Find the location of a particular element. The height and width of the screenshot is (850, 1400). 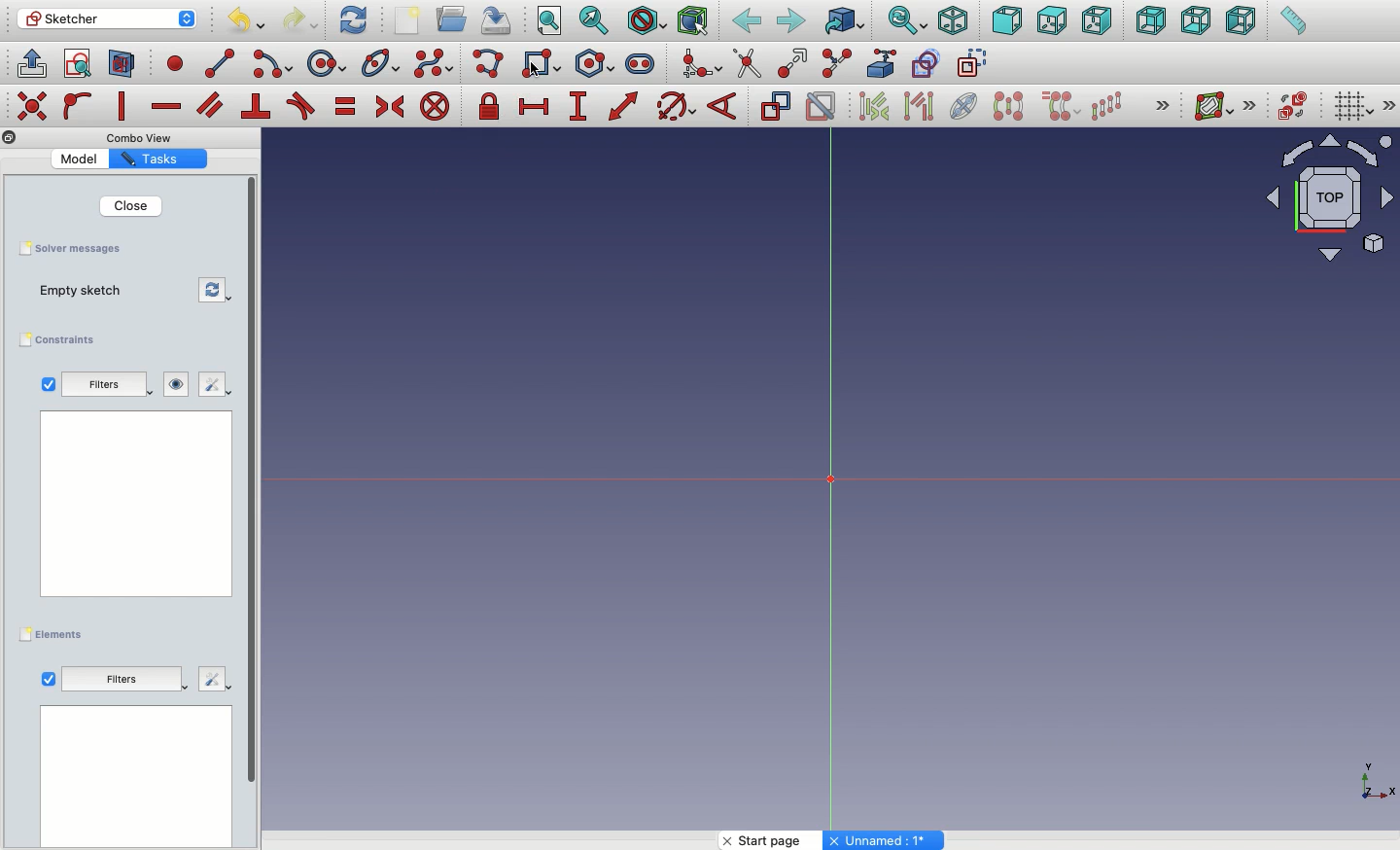

visibility  is located at coordinates (177, 384).